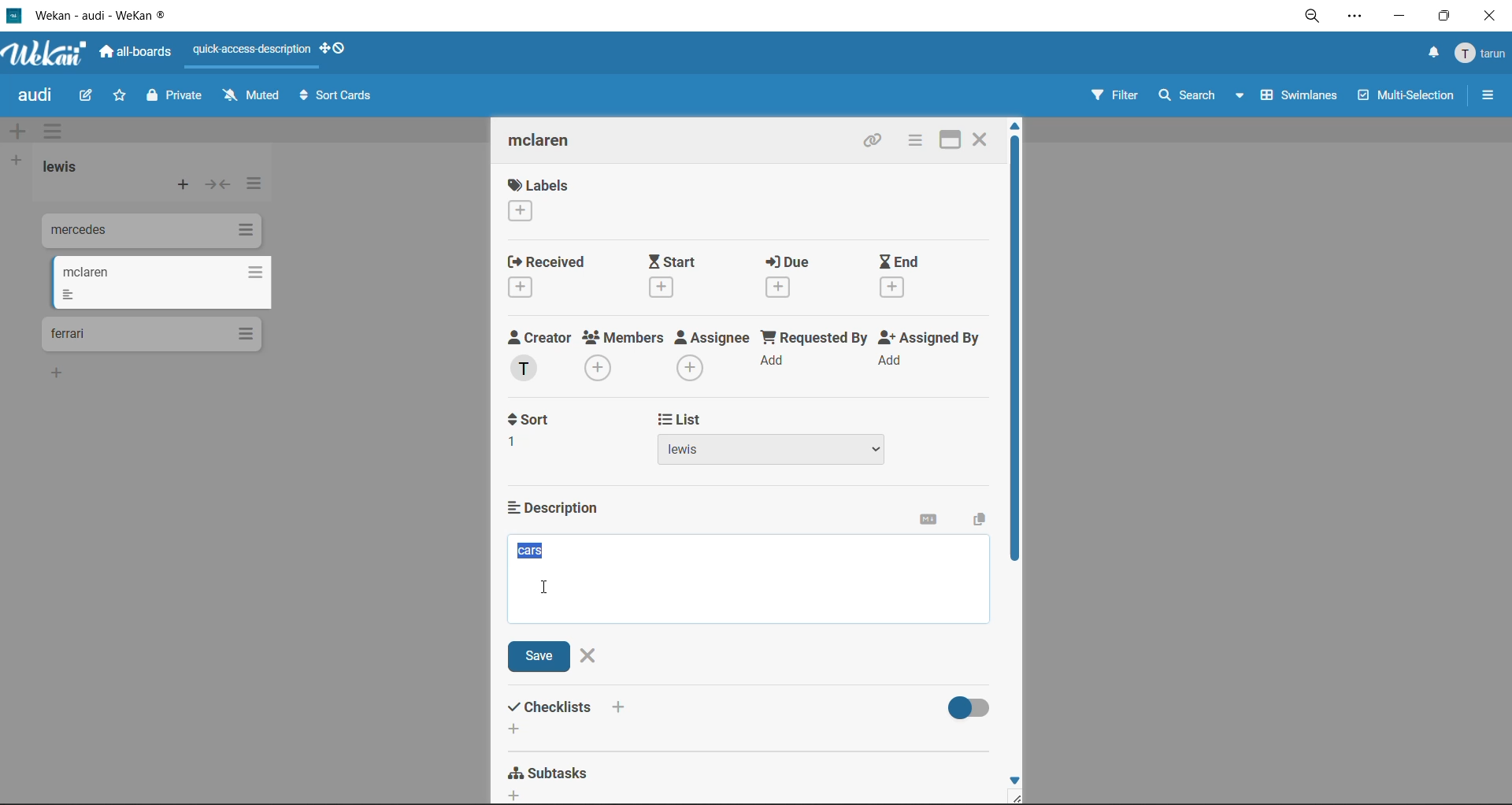  Describe the element at coordinates (149, 233) in the screenshot. I see `cards` at that location.